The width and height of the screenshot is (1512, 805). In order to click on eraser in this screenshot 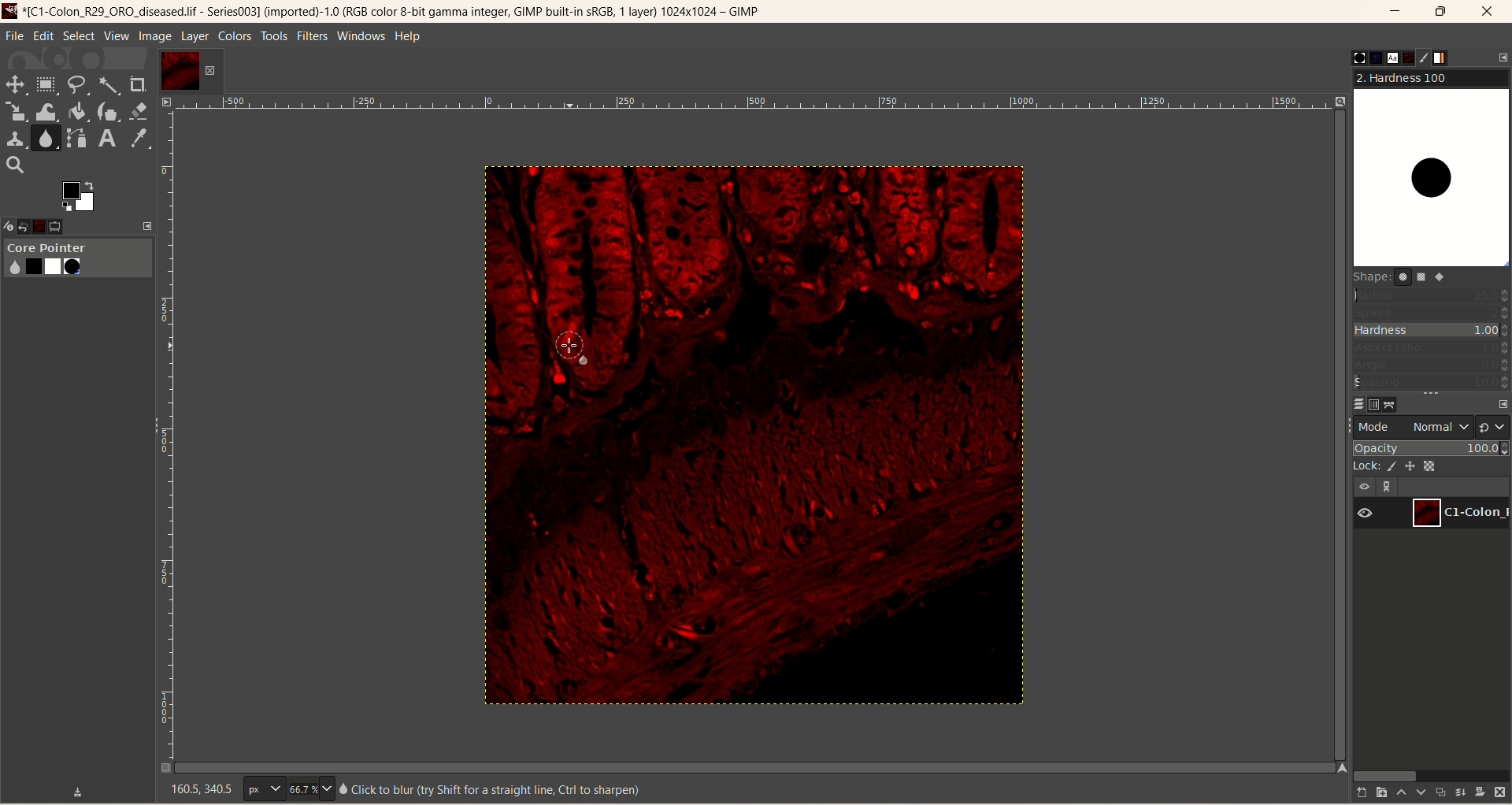, I will do `click(140, 111)`.